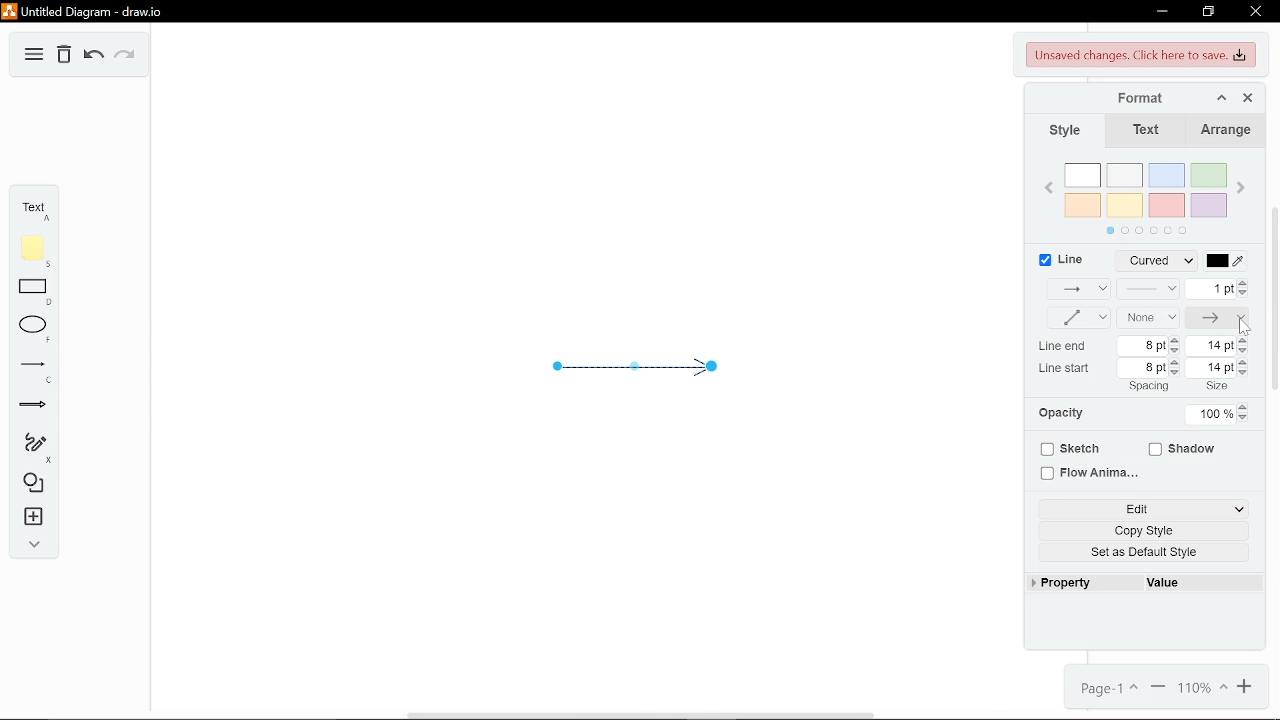  I want to click on Current opacity, so click(1208, 415).